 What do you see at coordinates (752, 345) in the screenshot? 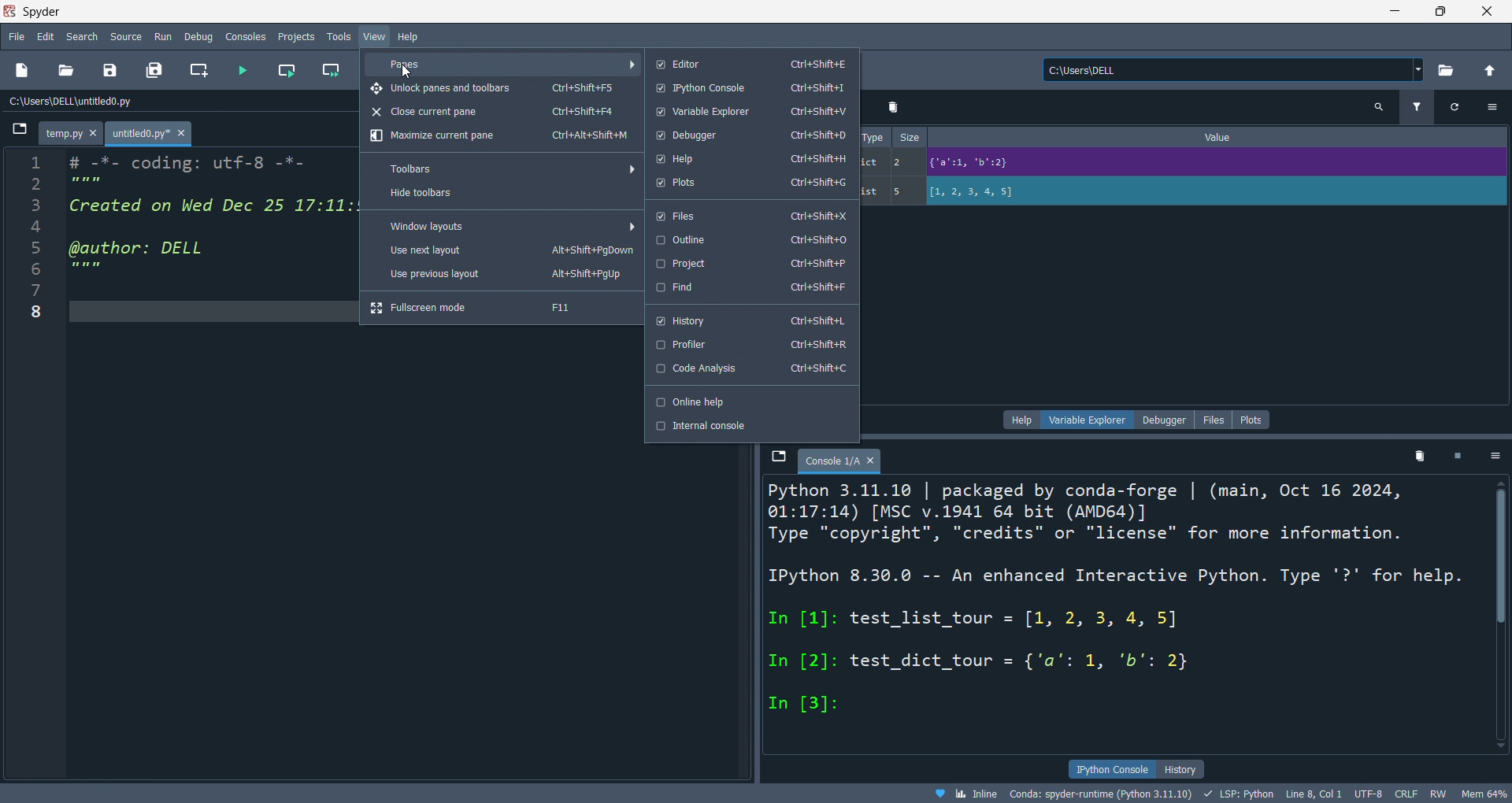
I see `profiler` at bounding box center [752, 345].